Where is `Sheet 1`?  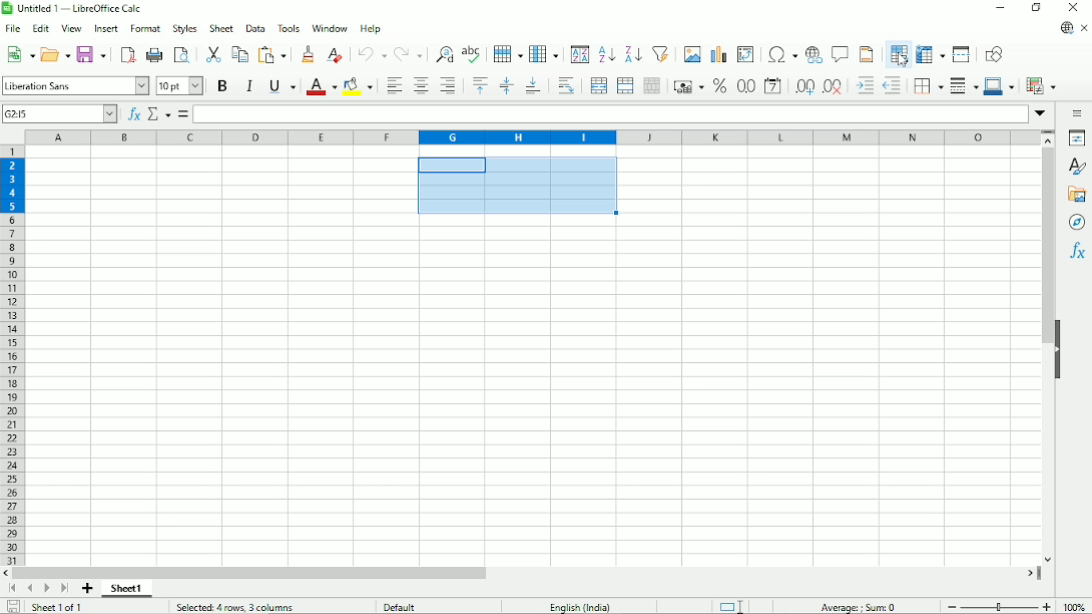 Sheet 1 is located at coordinates (129, 589).